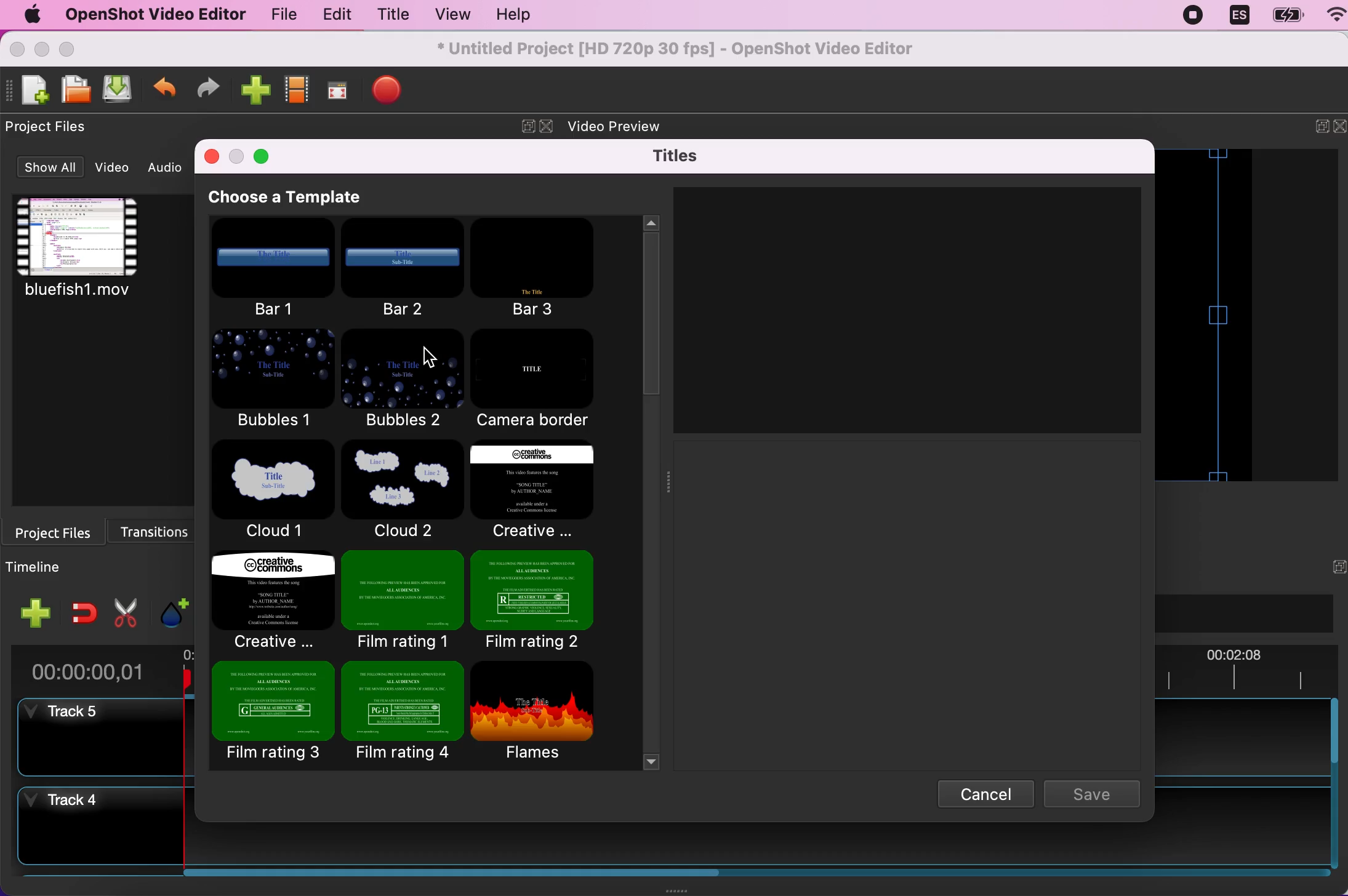 This screenshot has width=1348, height=896. I want to click on edit, so click(334, 15).